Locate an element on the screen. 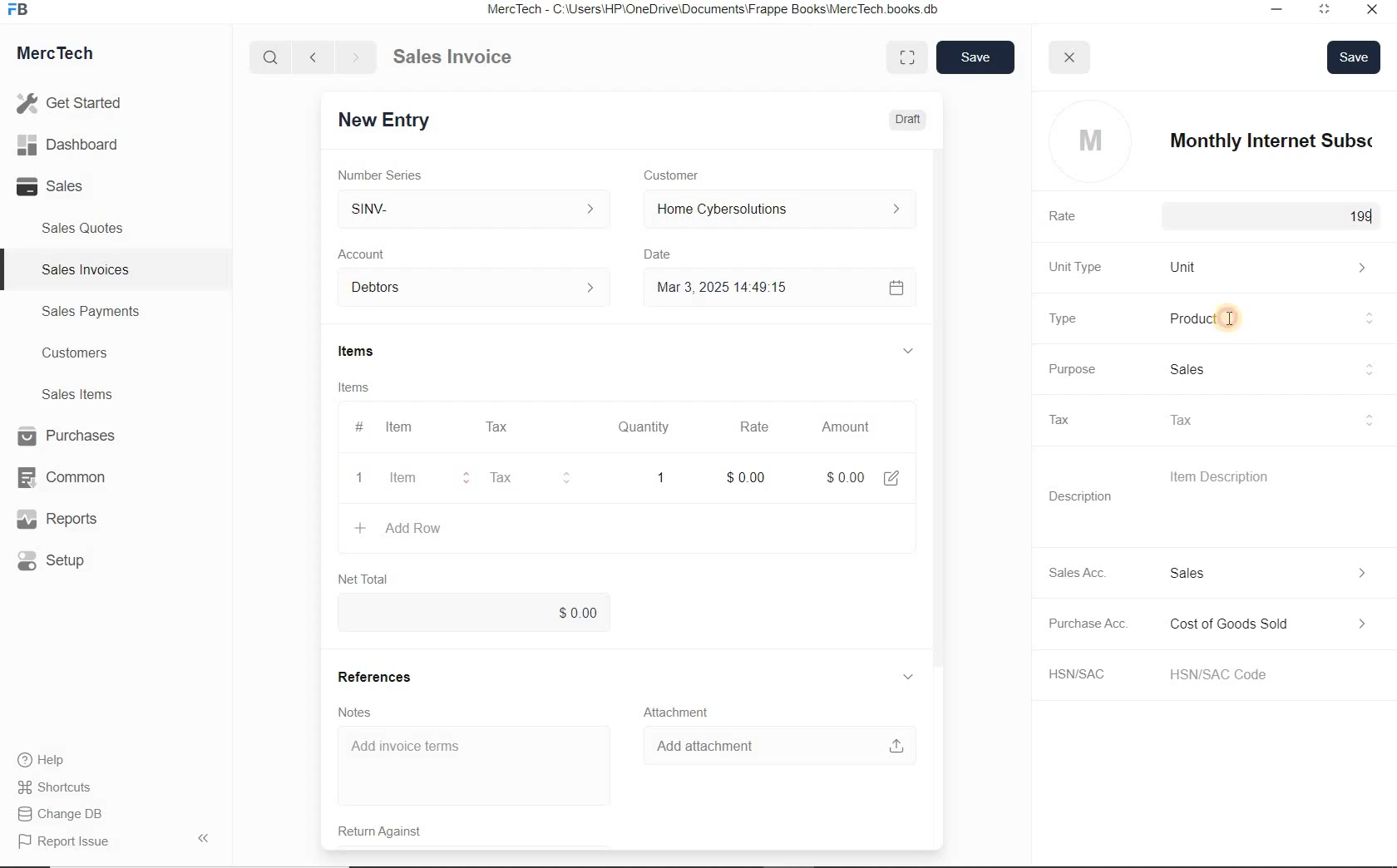 Image resolution: width=1397 pixels, height=868 pixels. Sales Items is located at coordinates (88, 394).